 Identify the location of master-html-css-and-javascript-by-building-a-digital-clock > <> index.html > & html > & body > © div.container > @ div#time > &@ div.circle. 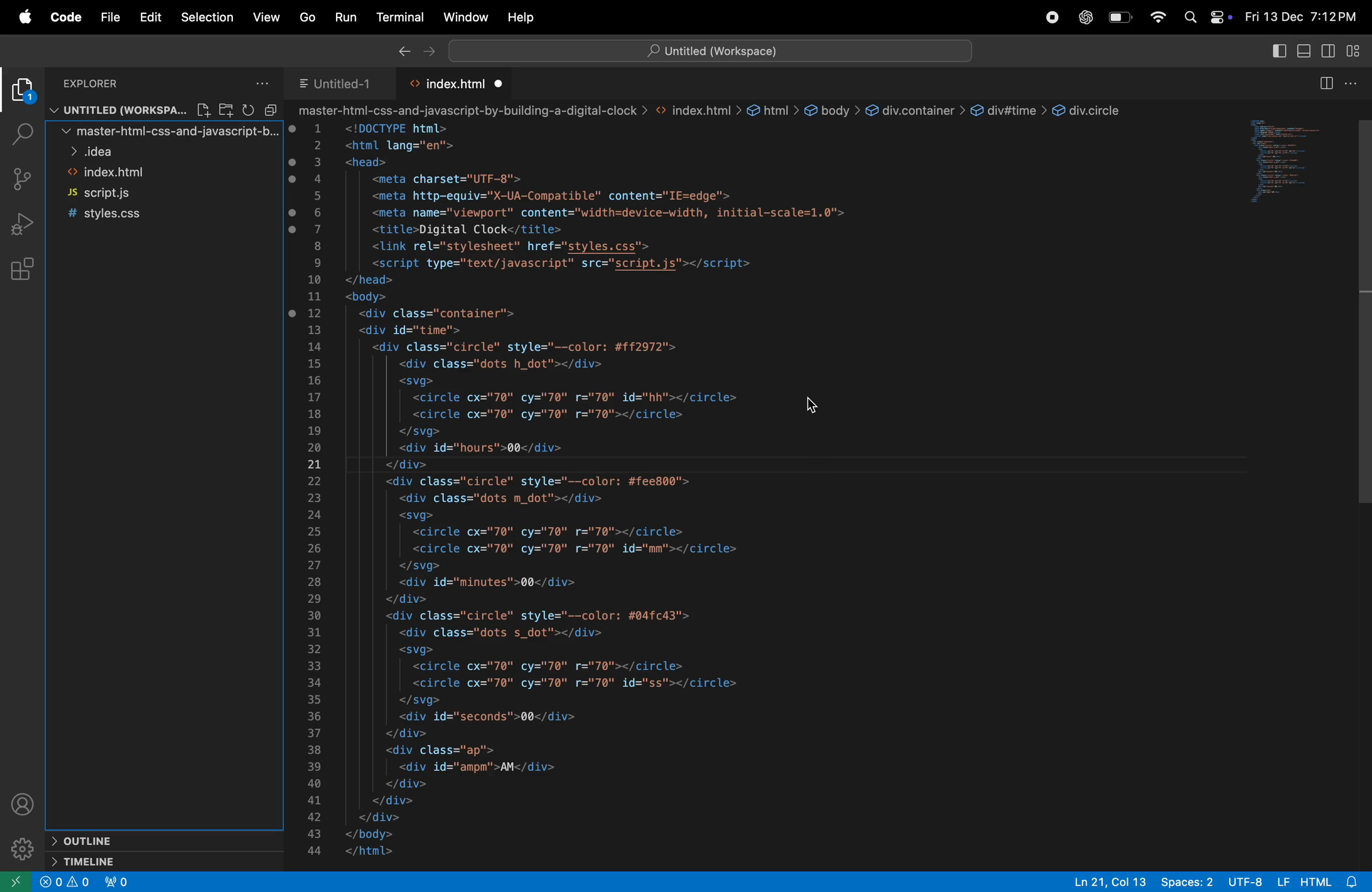
(711, 111).